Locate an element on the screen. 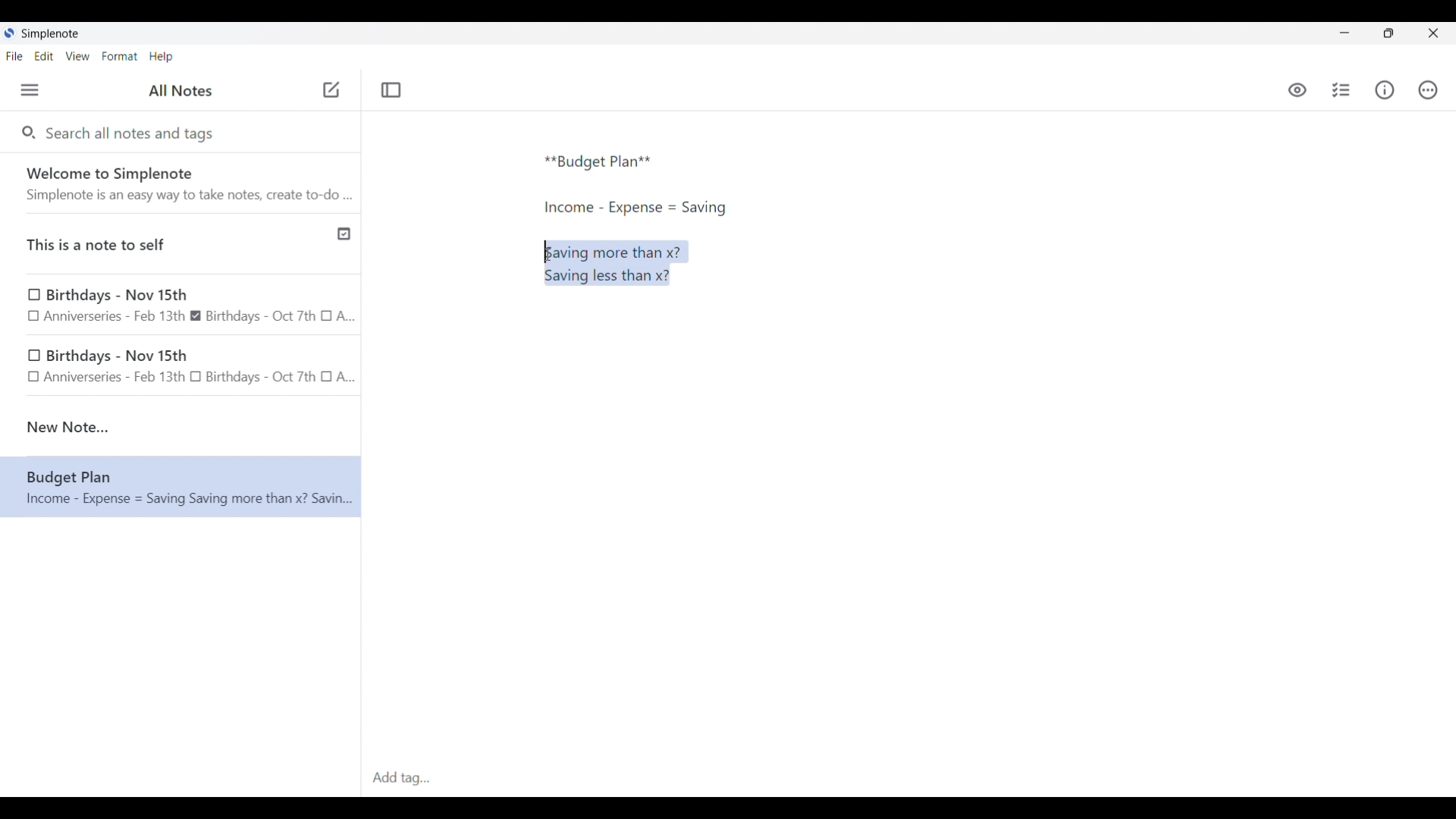 The height and width of the screenshot is (819, 1456). Software welcome note is located at coordinates (184, 183).